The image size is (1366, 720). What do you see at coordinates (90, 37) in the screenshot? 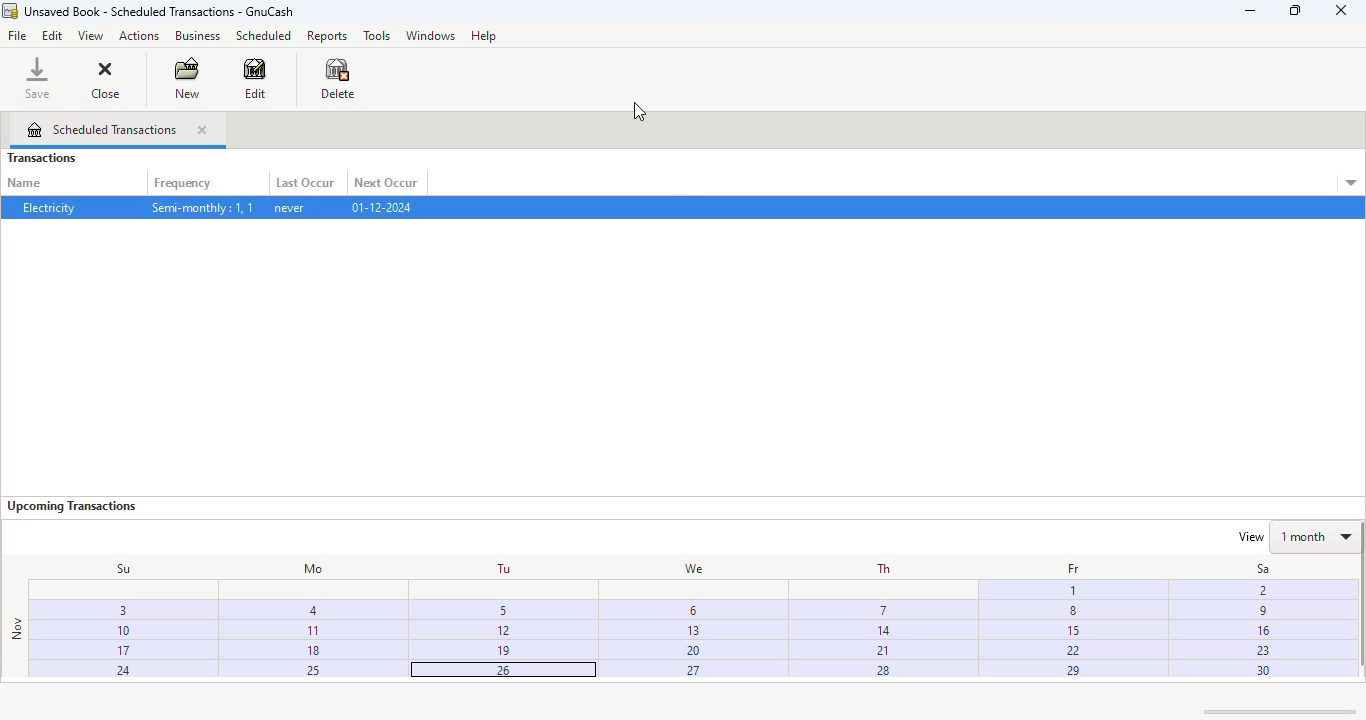
I see `view` at bounding box center [90, 37].